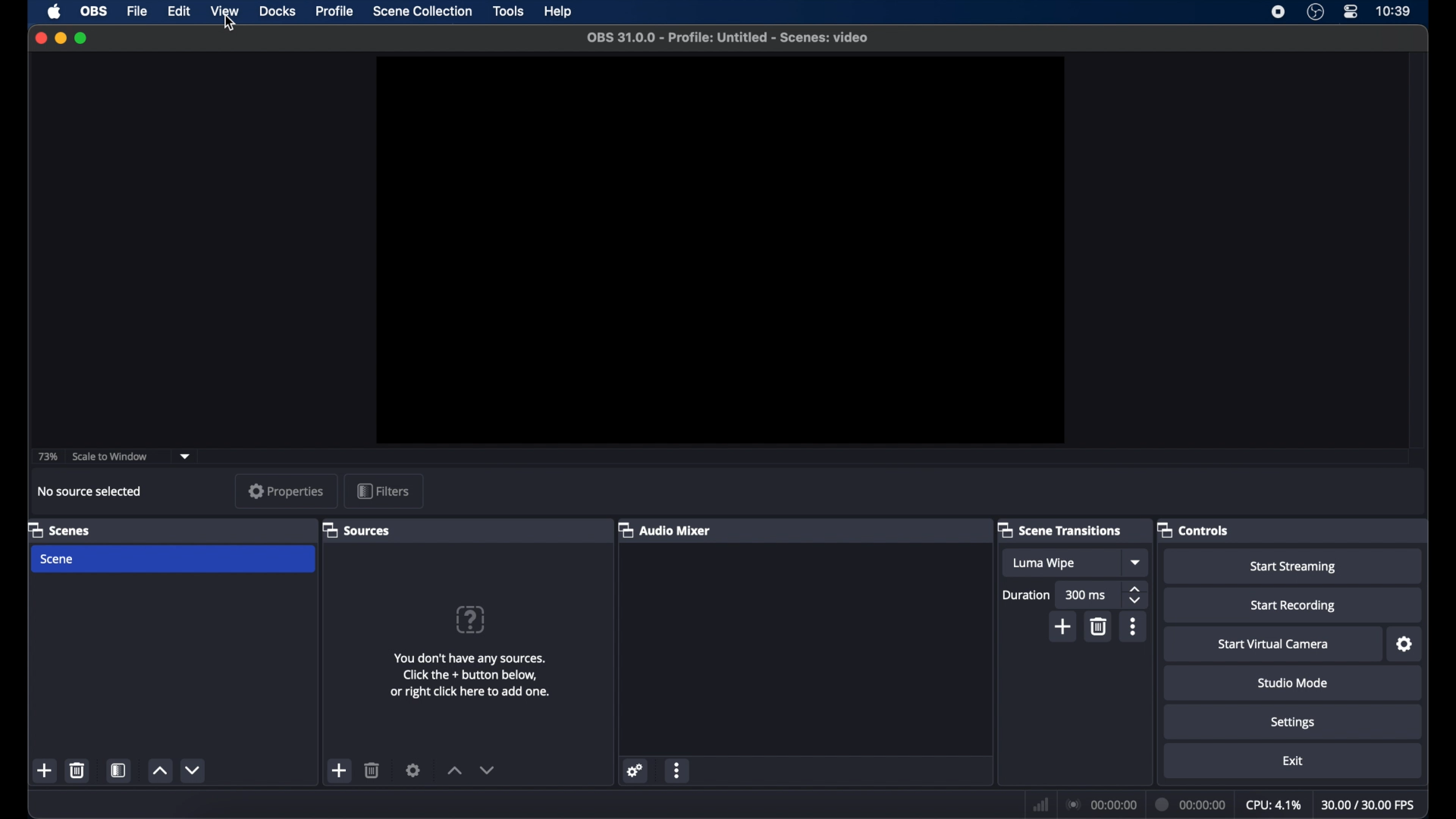  What do you see at coordinates (1043, 563) in the screenshot?
I see `luma wipe` at bounding box center [1043, 563].